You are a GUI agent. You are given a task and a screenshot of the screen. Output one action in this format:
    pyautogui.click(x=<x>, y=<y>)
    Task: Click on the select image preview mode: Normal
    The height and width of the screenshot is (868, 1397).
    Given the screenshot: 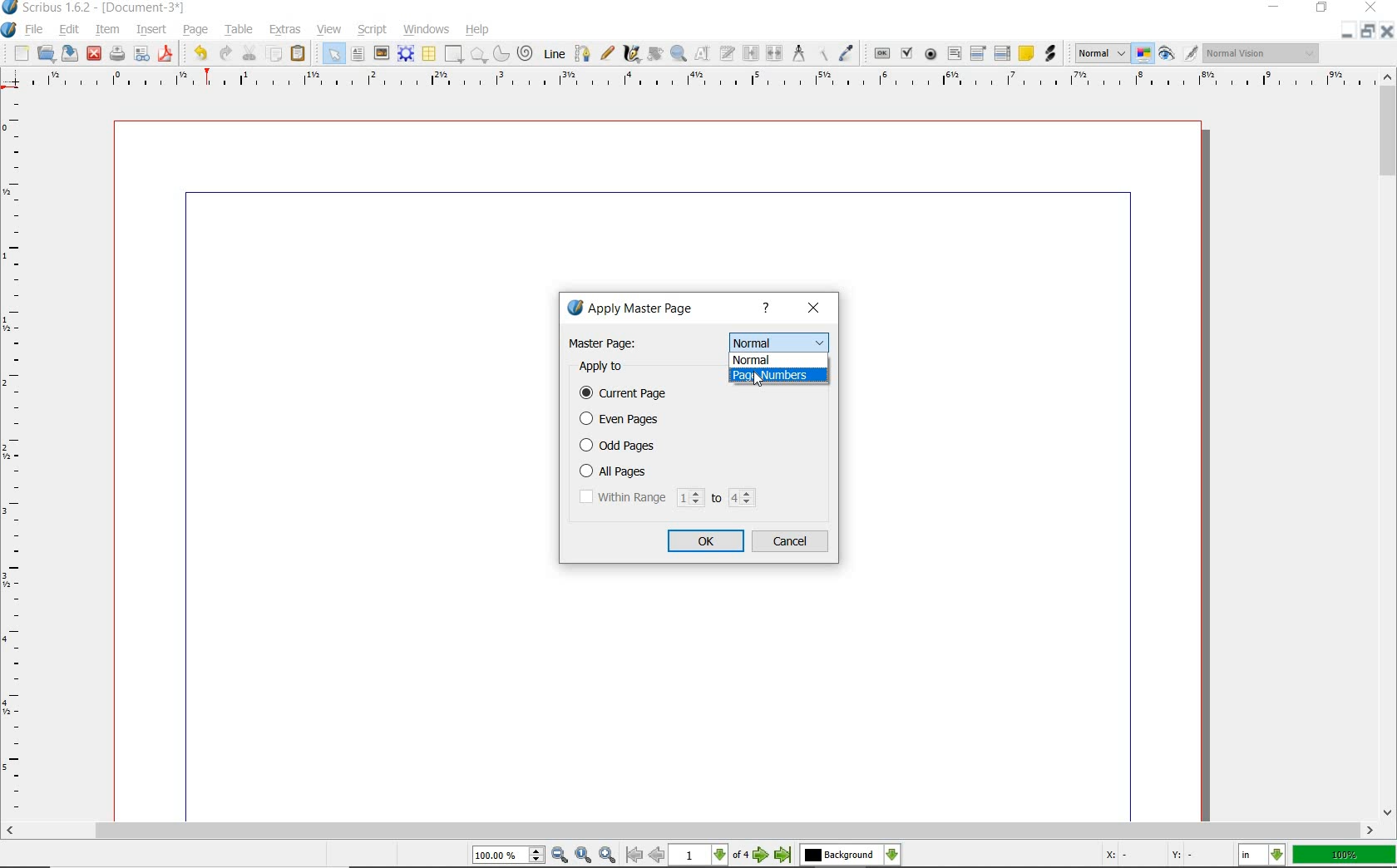 What is the action you would take?
    pyautogui.click(x=1100, y=52)
    